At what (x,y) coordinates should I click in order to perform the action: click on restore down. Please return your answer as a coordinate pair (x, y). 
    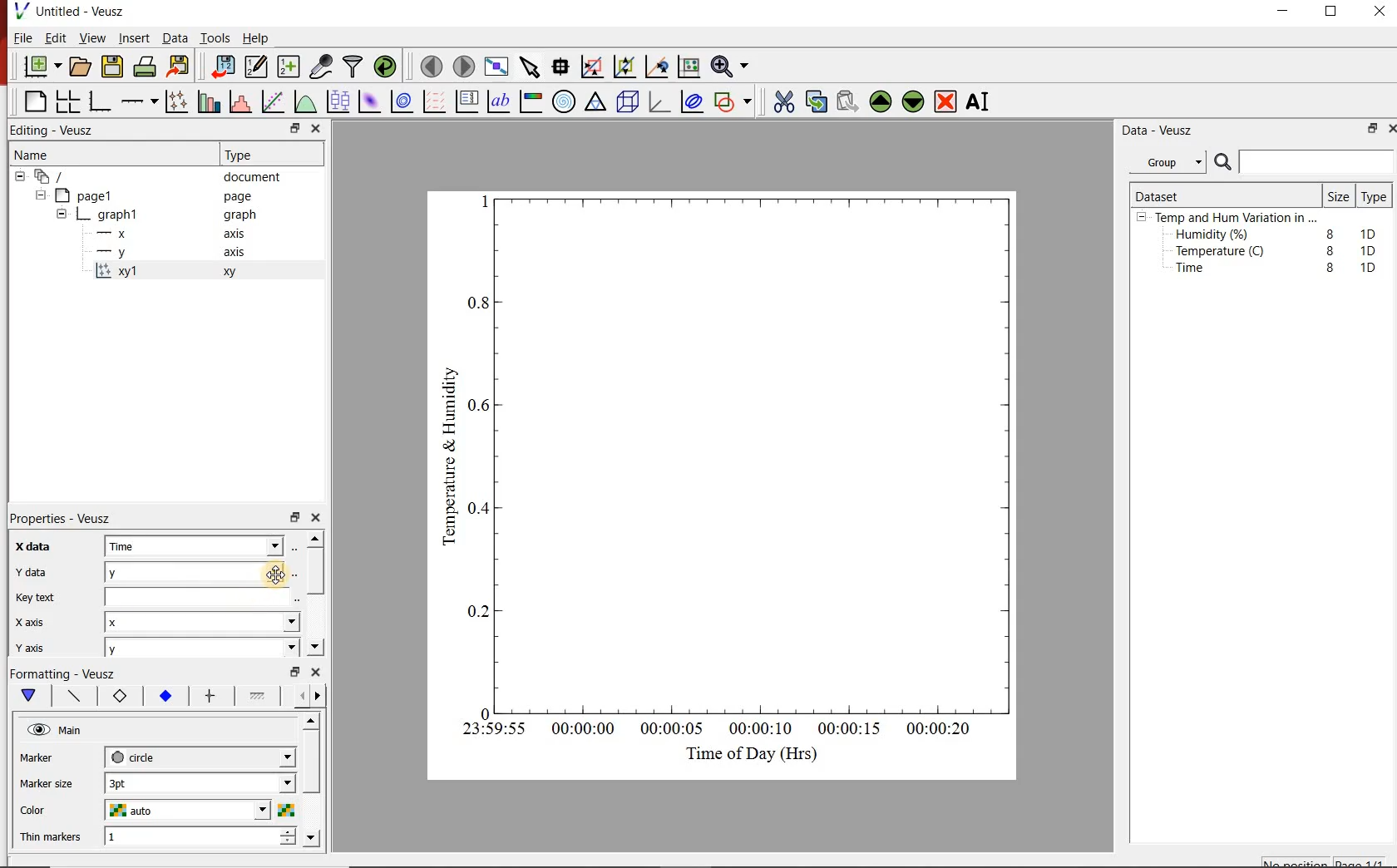
    Looking at the image, I should click on (284, 128).